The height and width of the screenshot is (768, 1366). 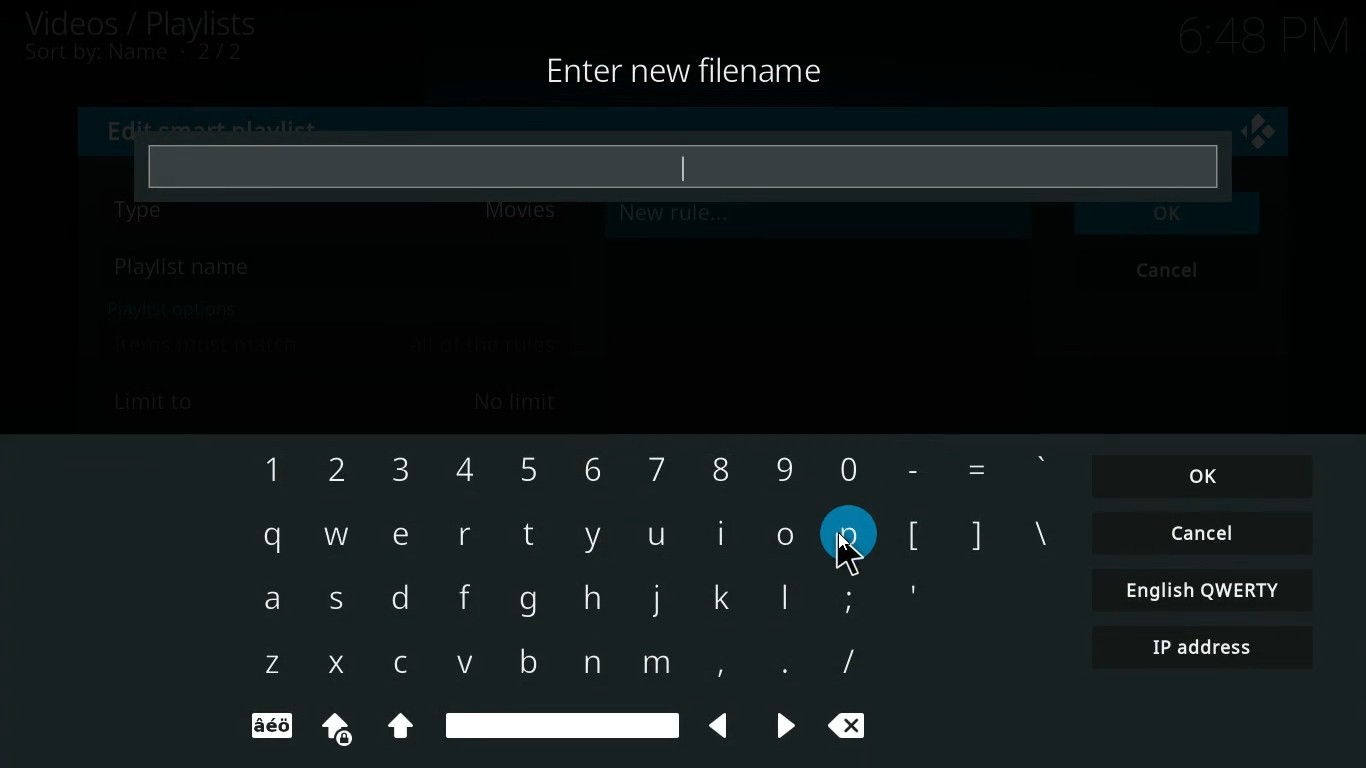 I want to click on v, so click(x=466, y=665).